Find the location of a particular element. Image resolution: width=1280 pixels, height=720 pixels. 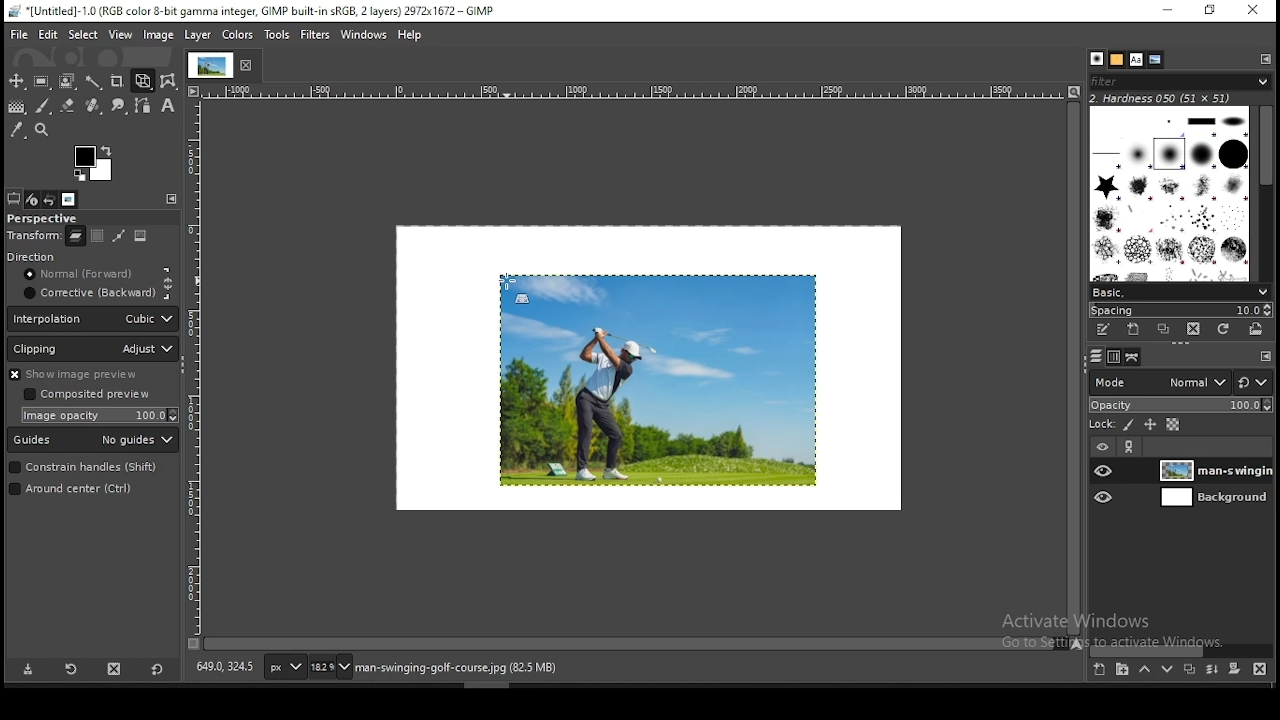

open brush as image is located at coordinates (1256, 329).